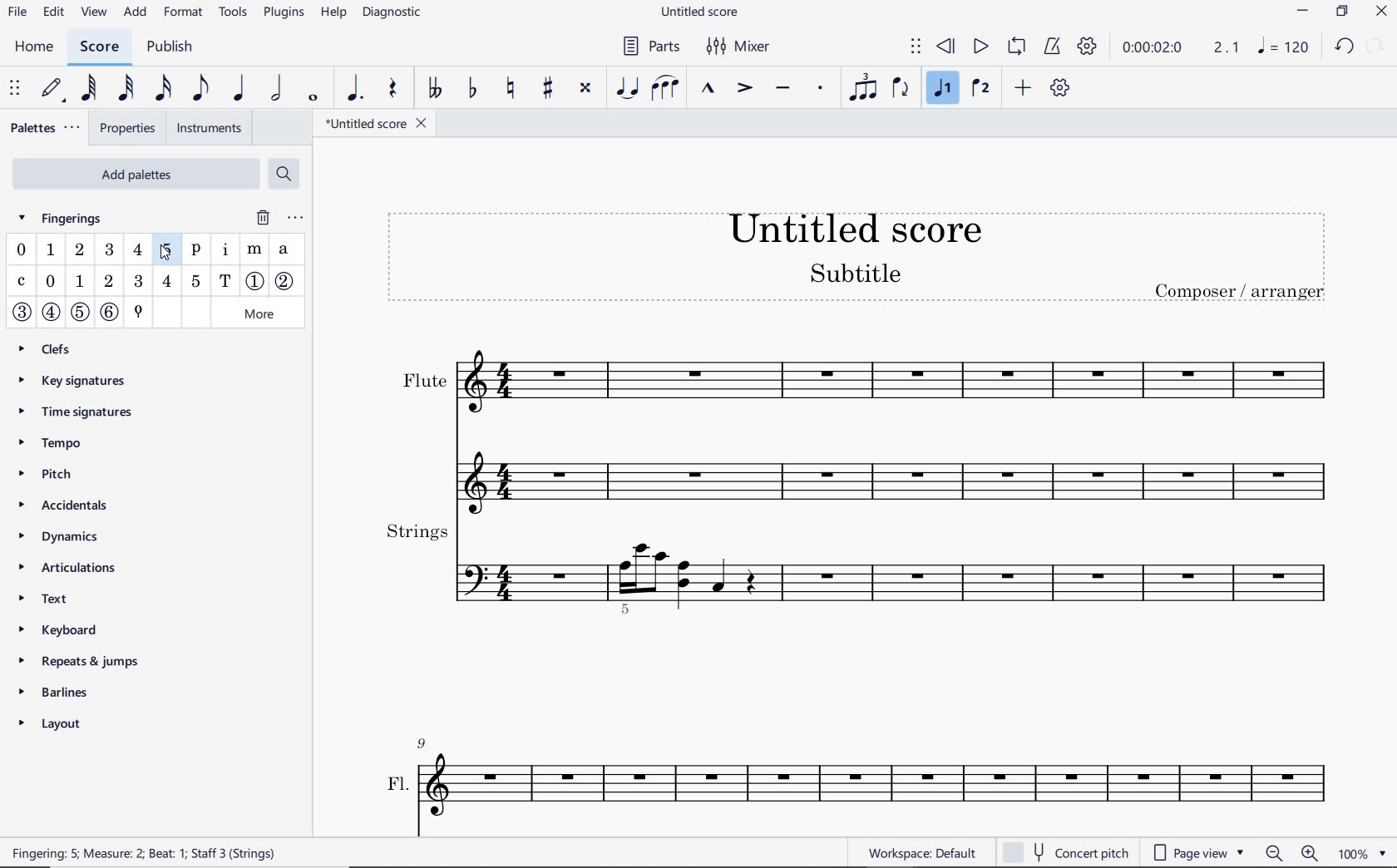  What do you see at coordinates (52, 282) in the screenshot?
I see `LH GUITAR FINGERING 0` at bounding box center [52, 282].